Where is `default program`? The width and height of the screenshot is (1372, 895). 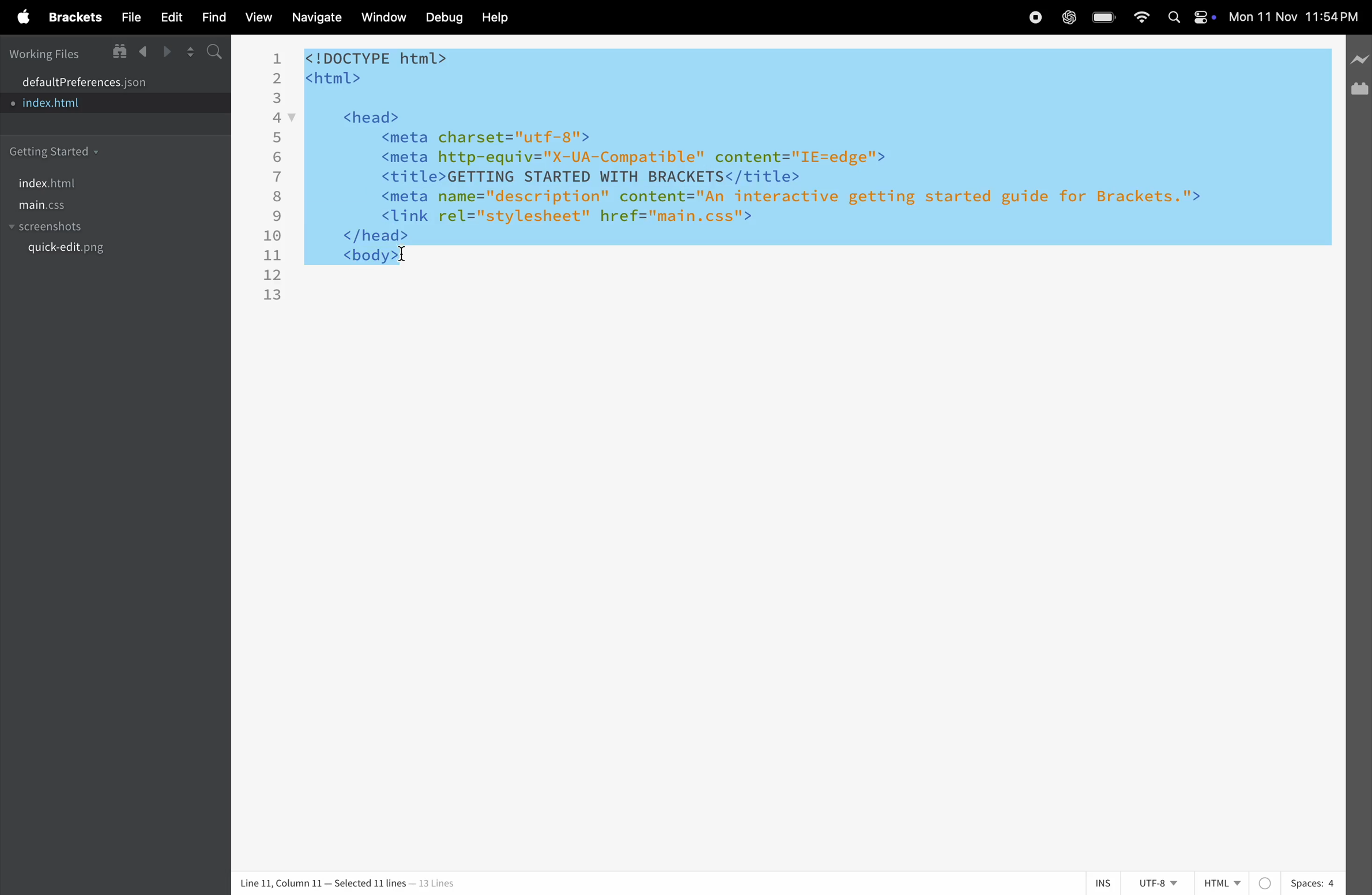 default program is located at coordinates (105, 80).